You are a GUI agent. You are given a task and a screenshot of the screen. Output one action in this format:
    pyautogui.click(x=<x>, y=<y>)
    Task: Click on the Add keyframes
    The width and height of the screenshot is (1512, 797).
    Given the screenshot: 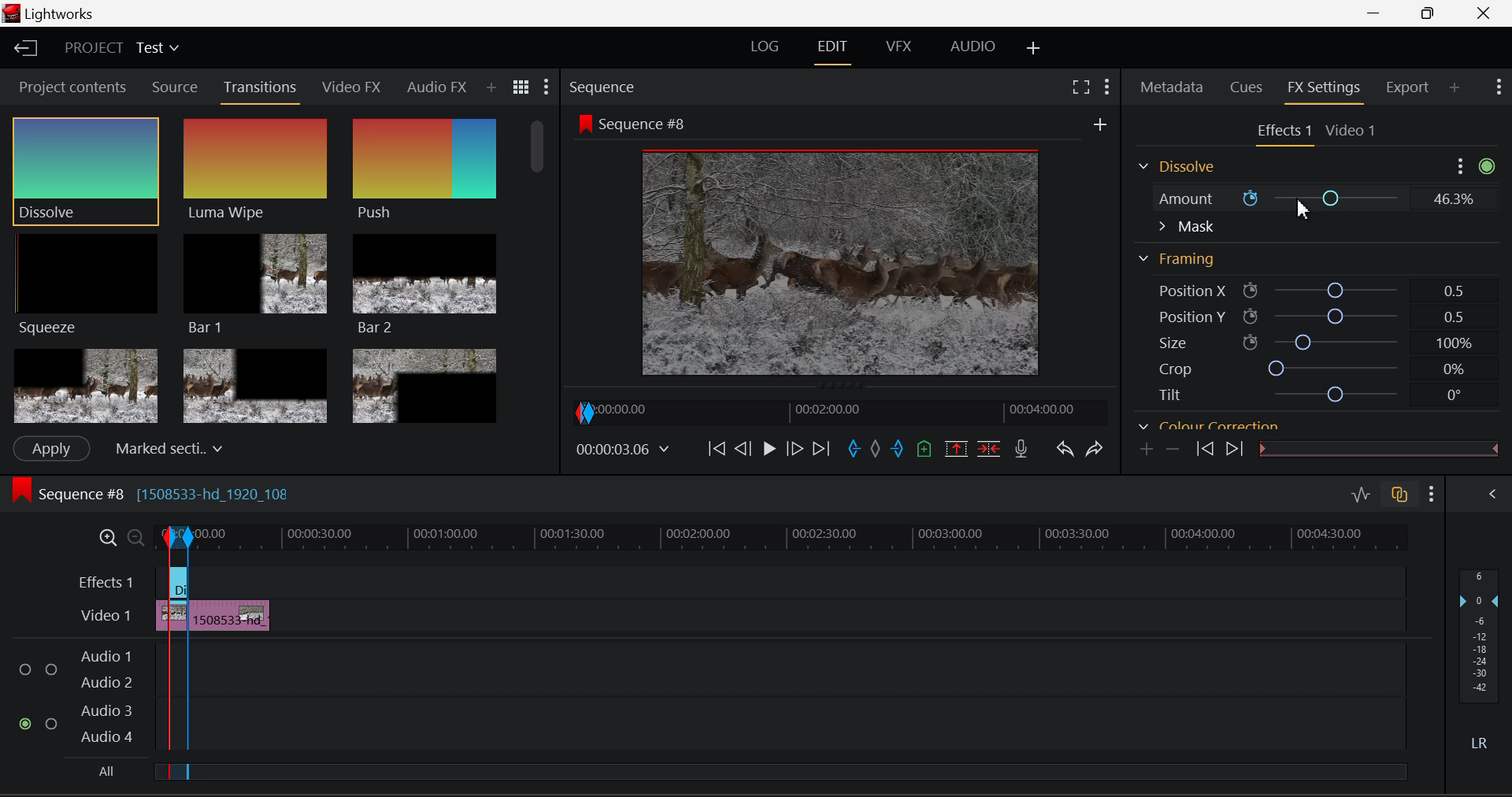 What is the action you would take?
    pyautogui.click(x=1147, y=450)
    